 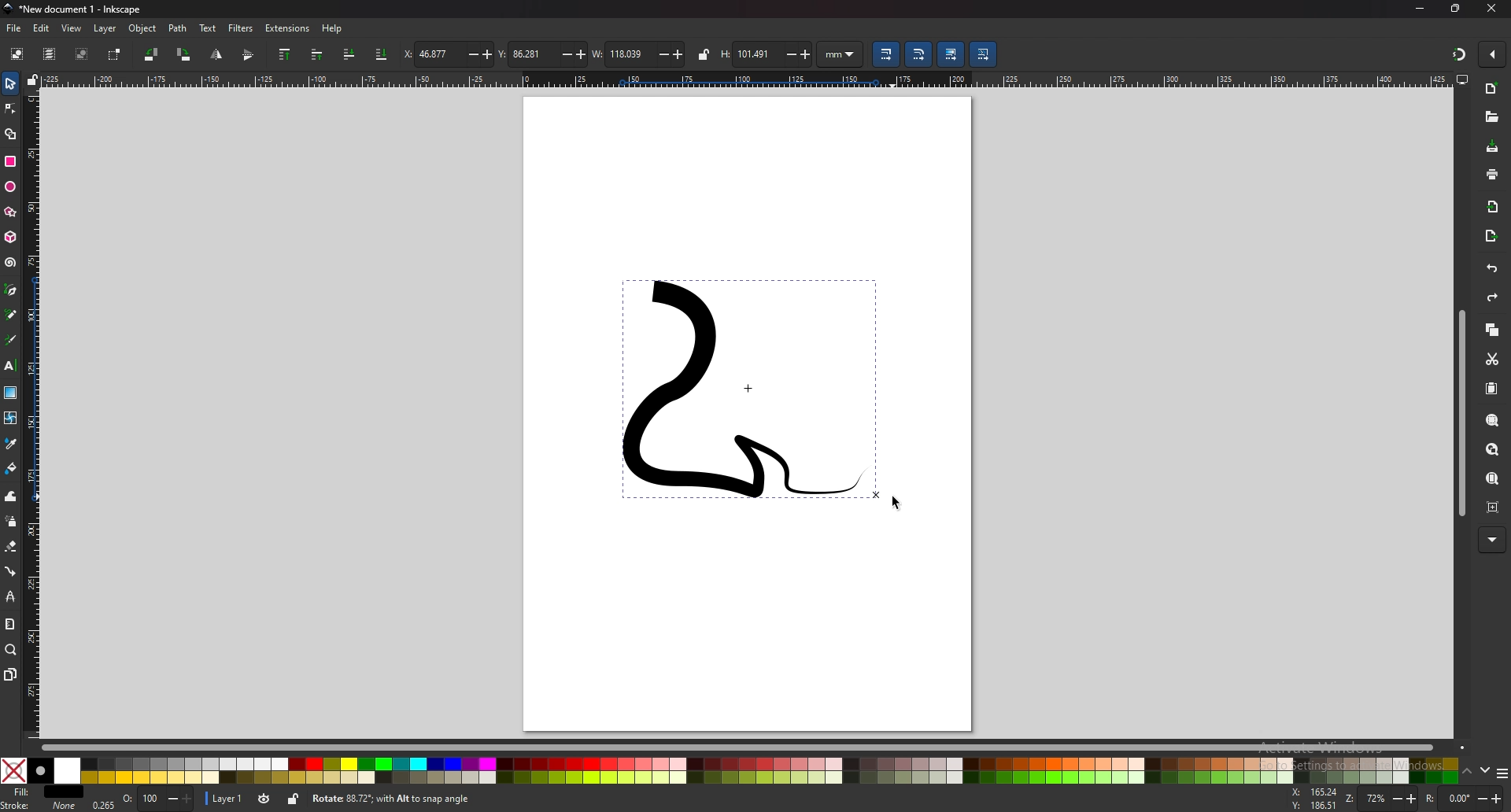 I want to click on zoom drawing, so click(x=1492, y=450).